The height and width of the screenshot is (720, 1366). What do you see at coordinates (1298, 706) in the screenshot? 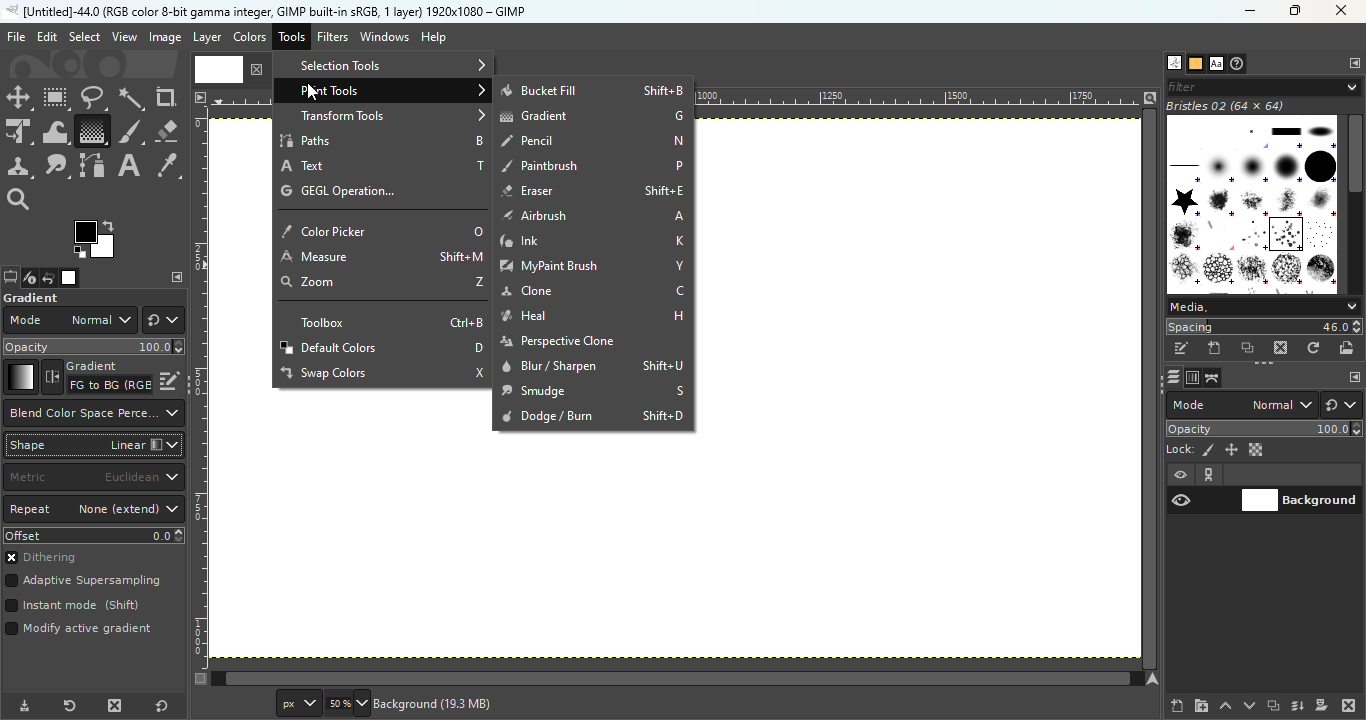
I see `Merge this layer with the first visible layer below it` at bounding box center [1298, 706].